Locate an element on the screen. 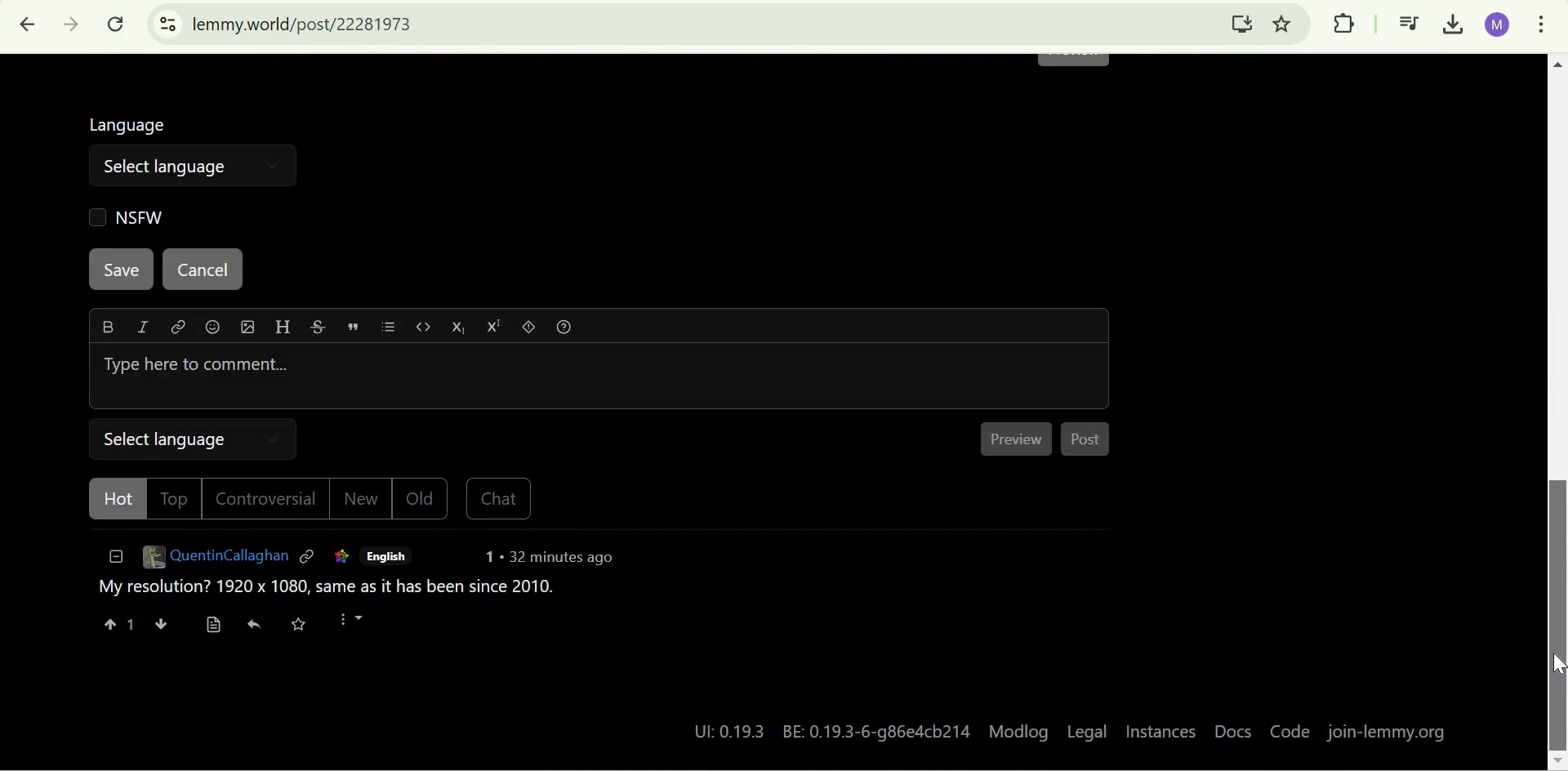 The image size is (1568, 771). downvote is located at coordinates (160, 626).